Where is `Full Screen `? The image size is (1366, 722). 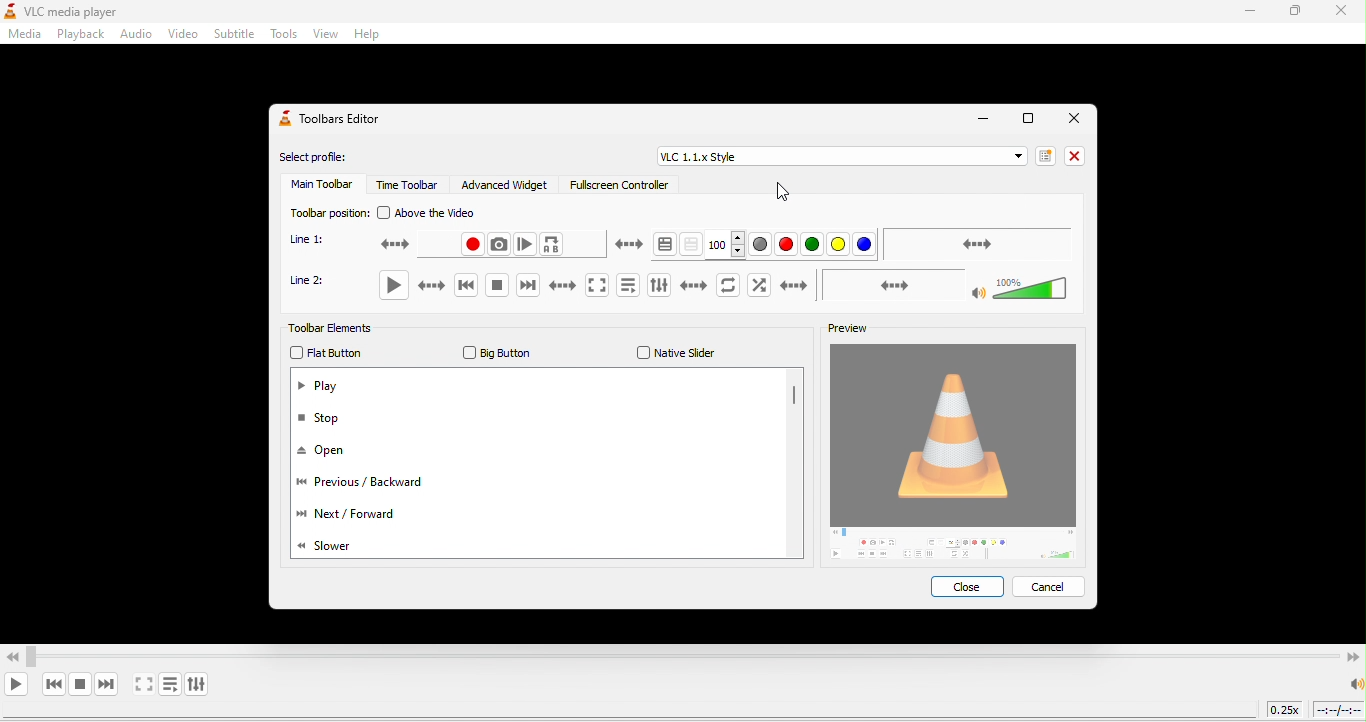
Full Screen  is located at coordinates (1025, 121).